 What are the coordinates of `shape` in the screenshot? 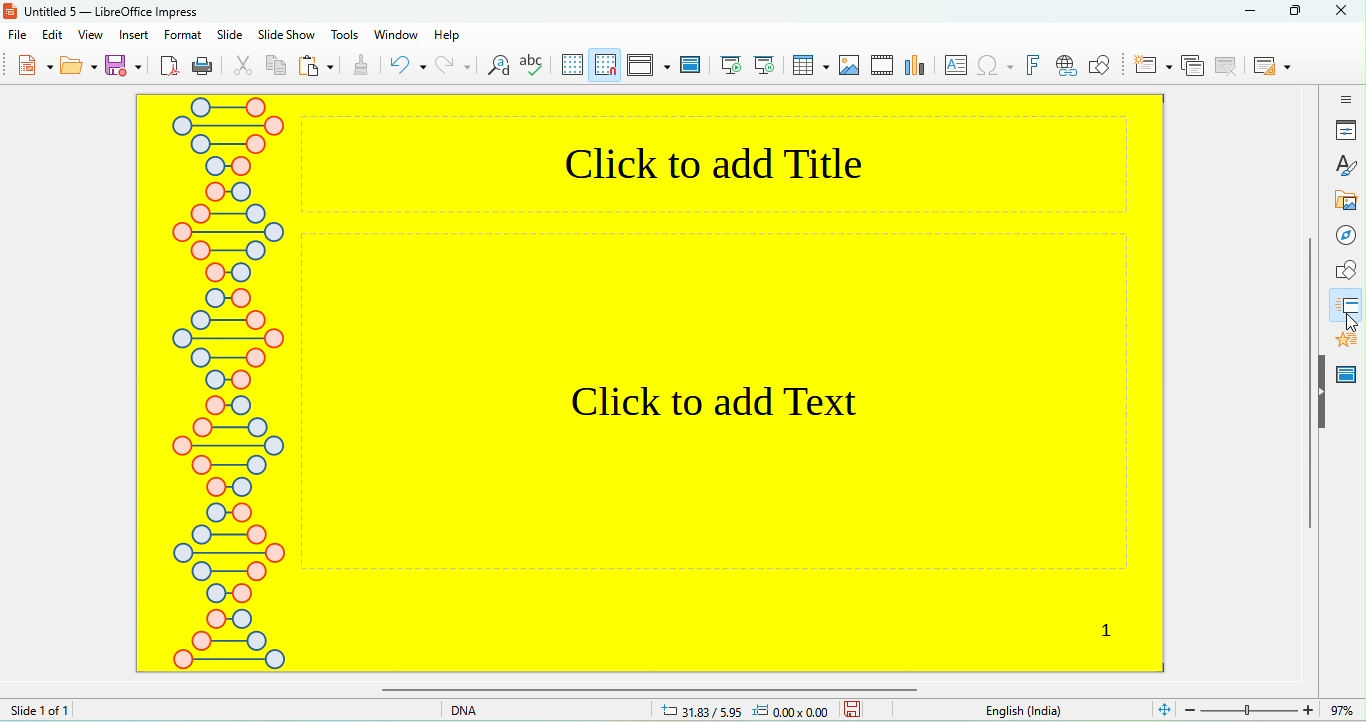 It's located at (1342, 268).